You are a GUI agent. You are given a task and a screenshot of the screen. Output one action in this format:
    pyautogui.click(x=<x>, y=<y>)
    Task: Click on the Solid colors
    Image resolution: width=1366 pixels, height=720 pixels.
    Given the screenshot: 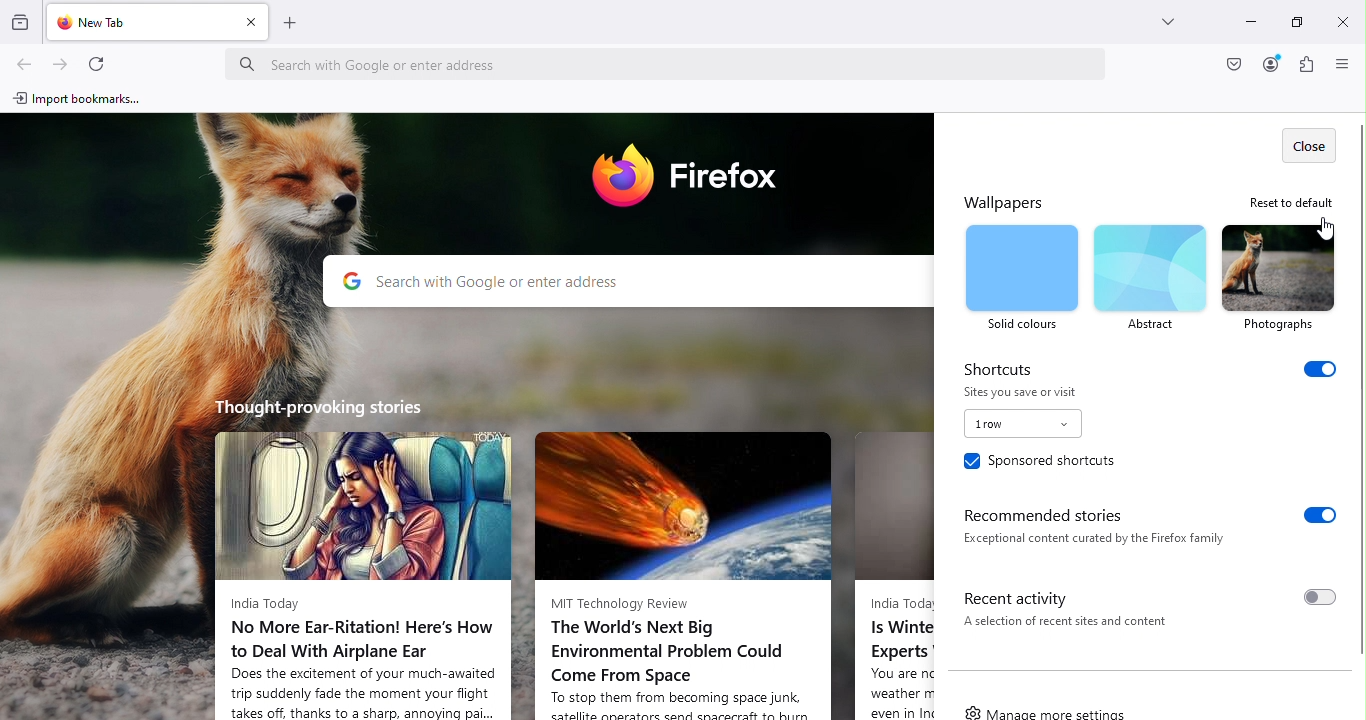 What is the action you would take?
    pyautogui.click(x=1022, y=278)
    